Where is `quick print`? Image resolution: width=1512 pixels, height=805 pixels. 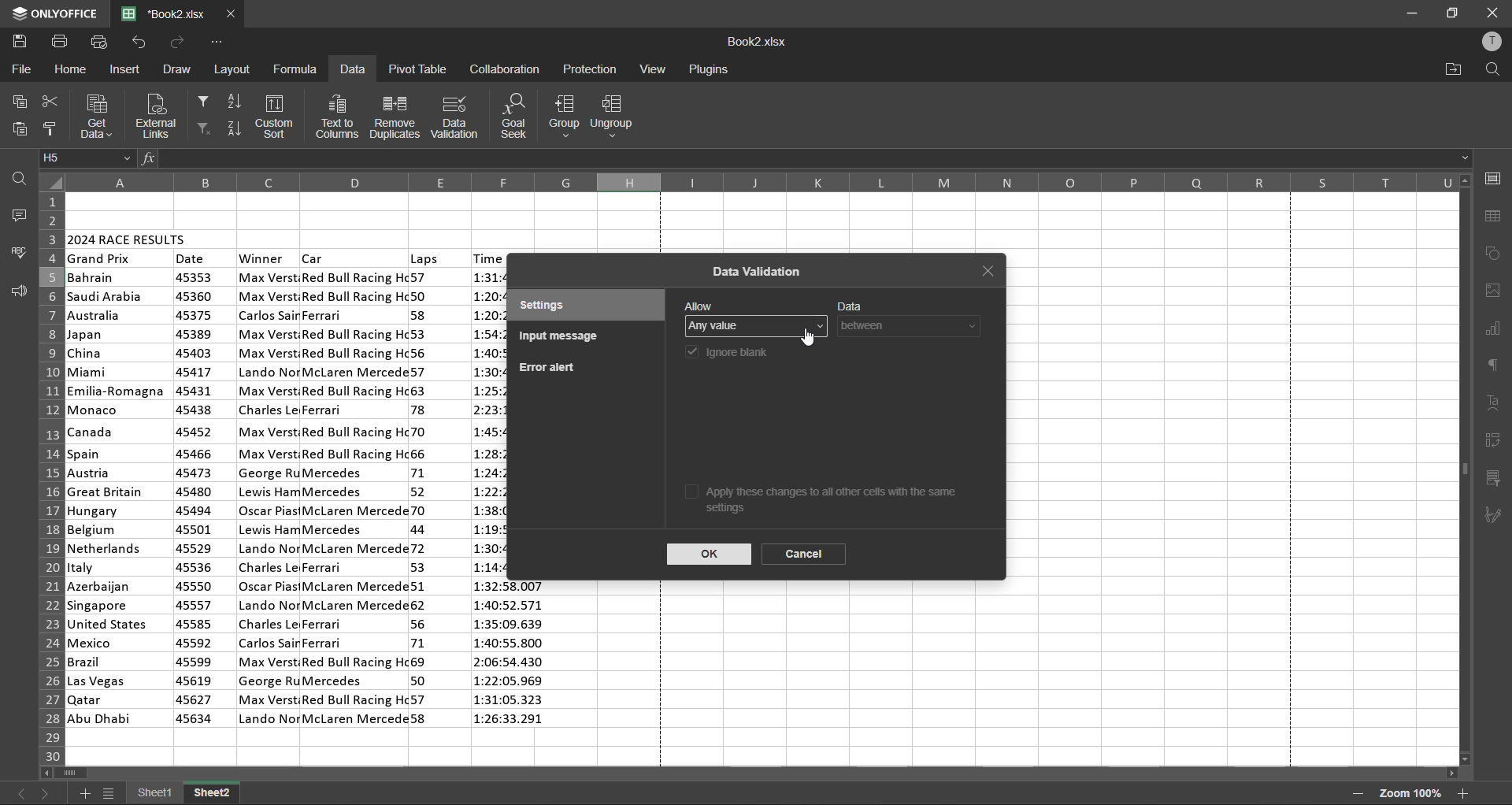
quick print is located at coordinates (98, 42).